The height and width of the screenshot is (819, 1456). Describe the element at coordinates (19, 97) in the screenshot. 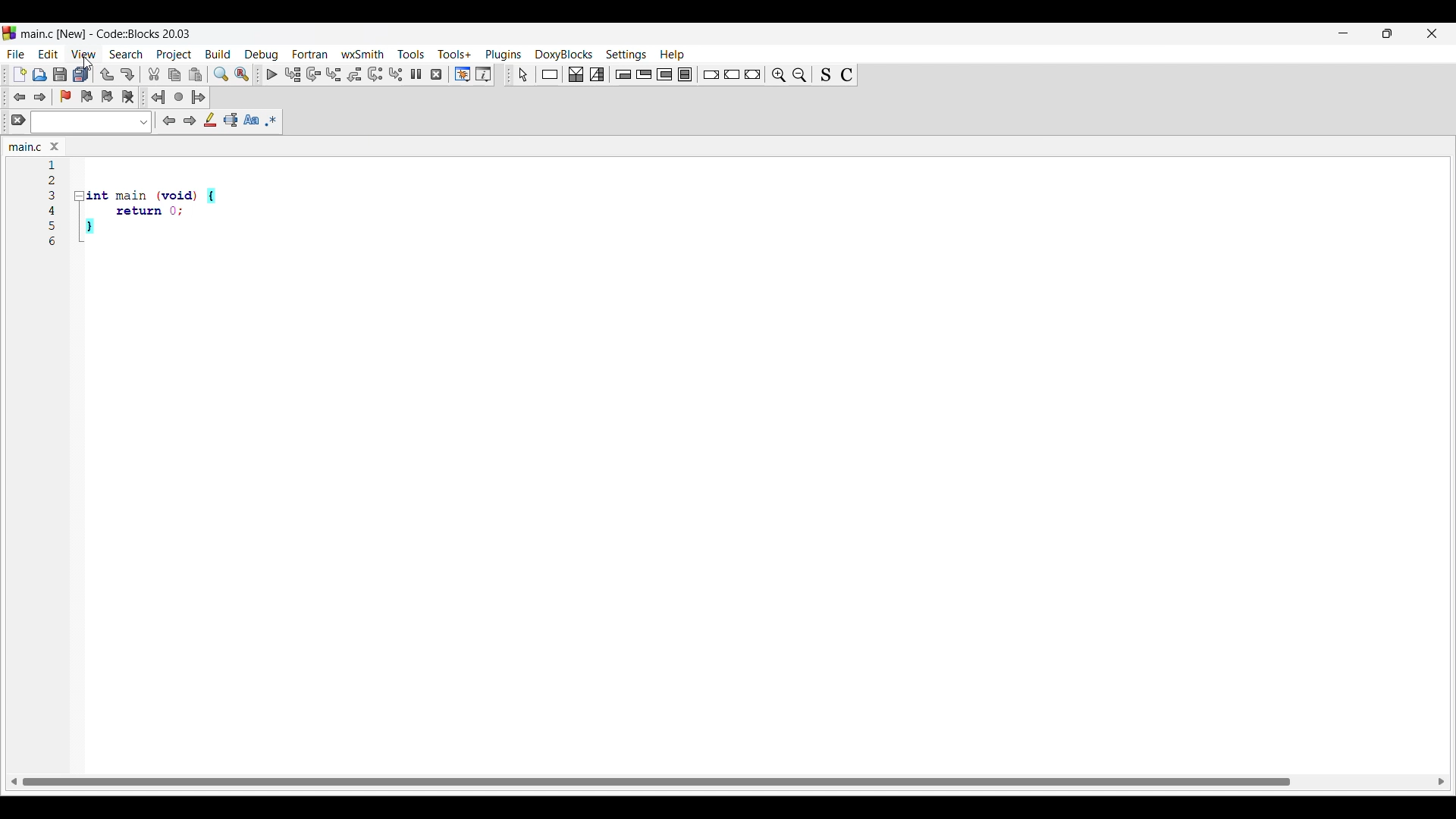

I see `Toggle back` at that location.